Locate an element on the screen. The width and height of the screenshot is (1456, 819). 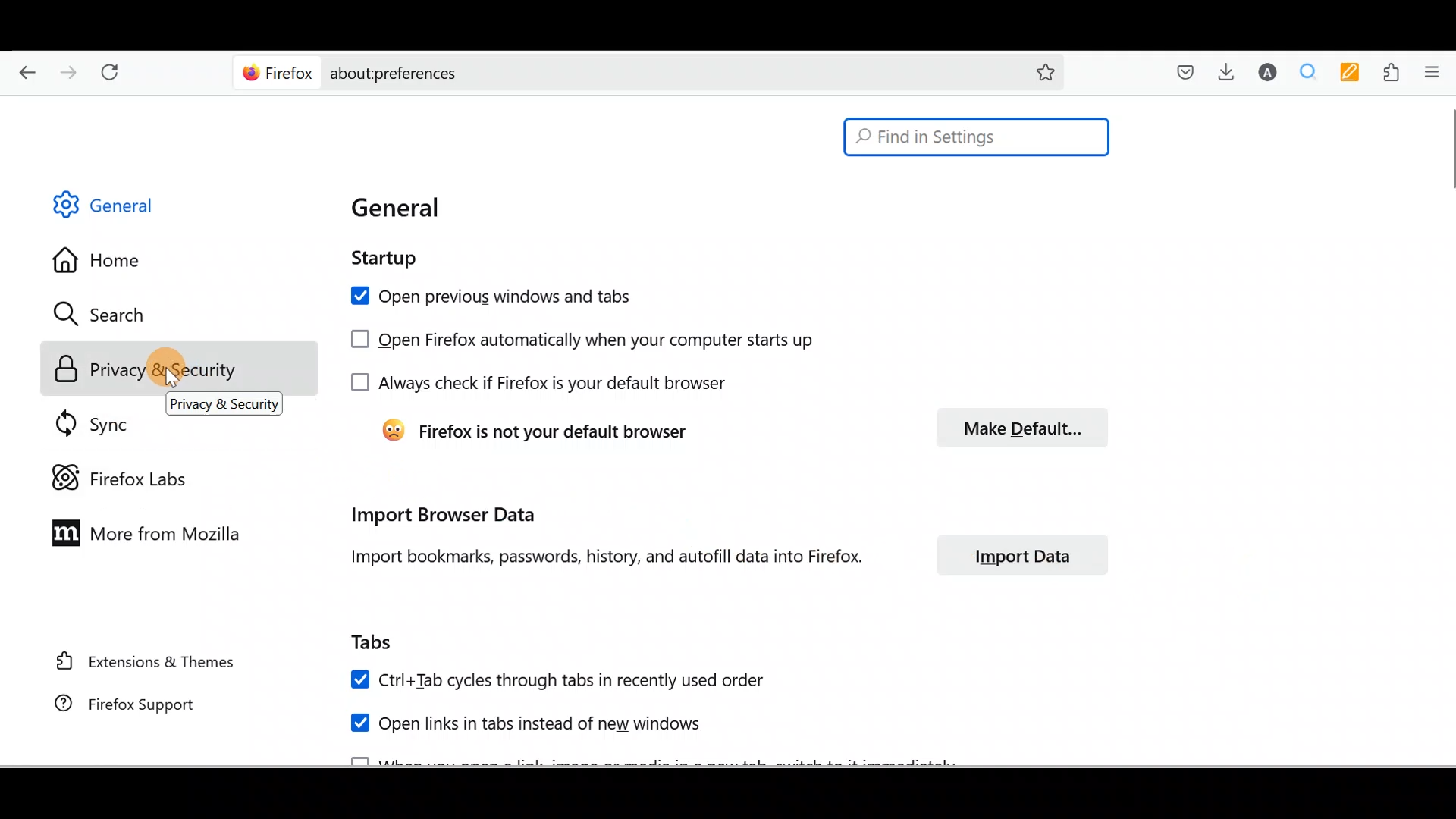
Go forward one page is located at coordinates (66, 72).